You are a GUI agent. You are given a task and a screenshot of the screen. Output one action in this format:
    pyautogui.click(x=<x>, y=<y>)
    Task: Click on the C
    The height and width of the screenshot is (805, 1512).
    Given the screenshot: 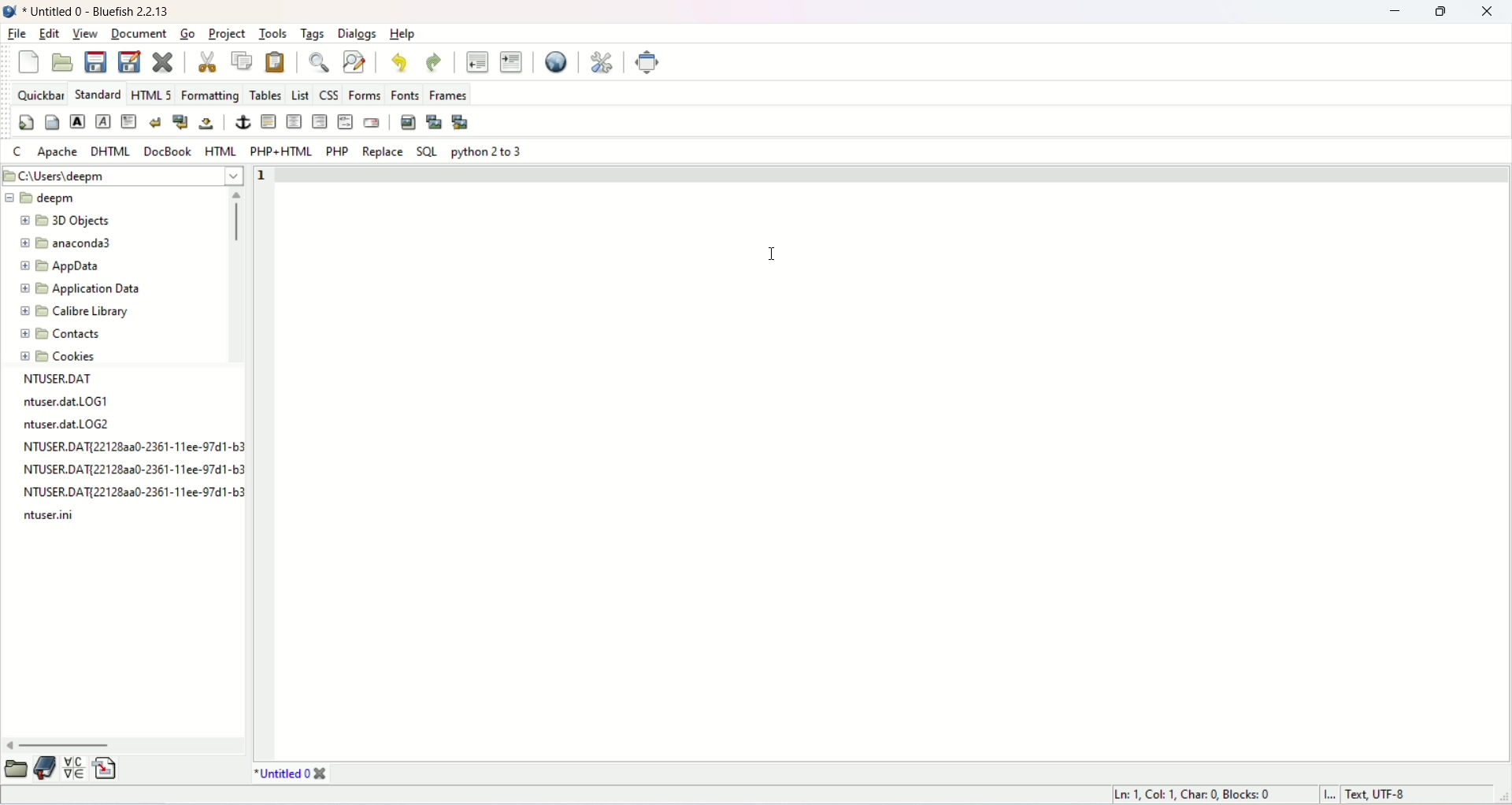 What is the action you would take?
    pyautogui.click(x=15, y=151)
    